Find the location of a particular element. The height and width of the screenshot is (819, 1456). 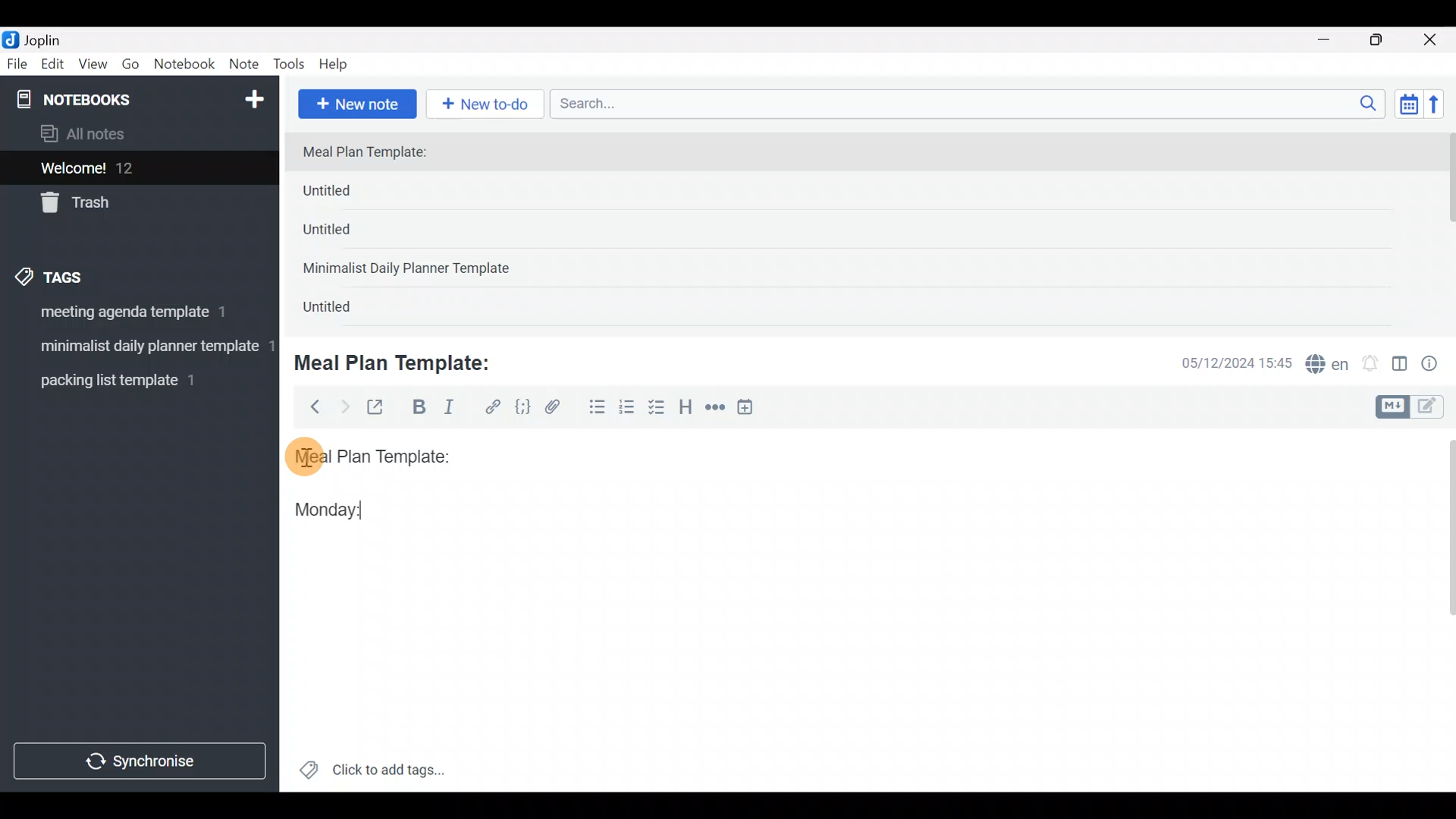

text cursor is located at coordinates (376, 510).